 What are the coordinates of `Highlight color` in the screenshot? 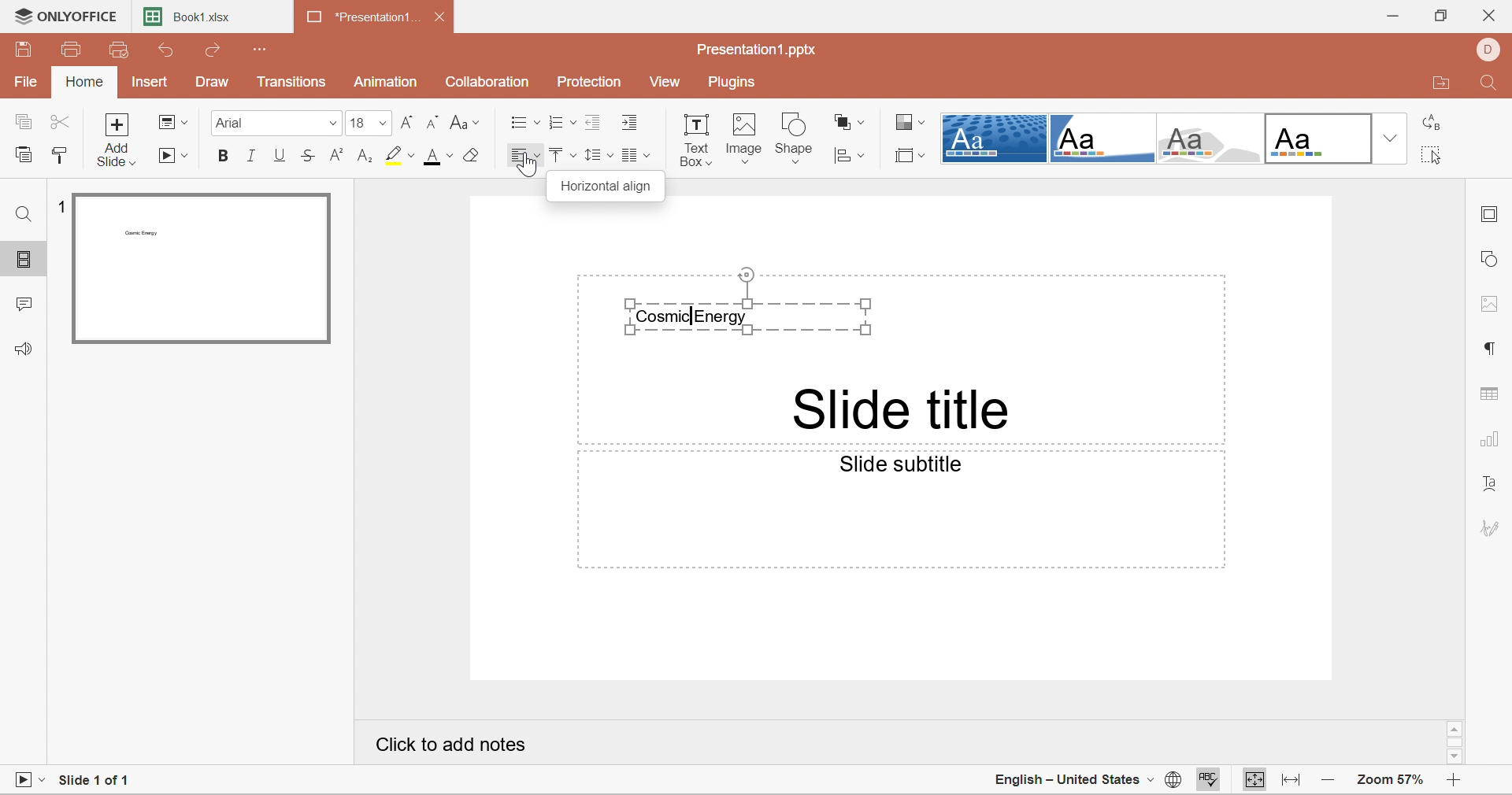 It's located at (400, 155).